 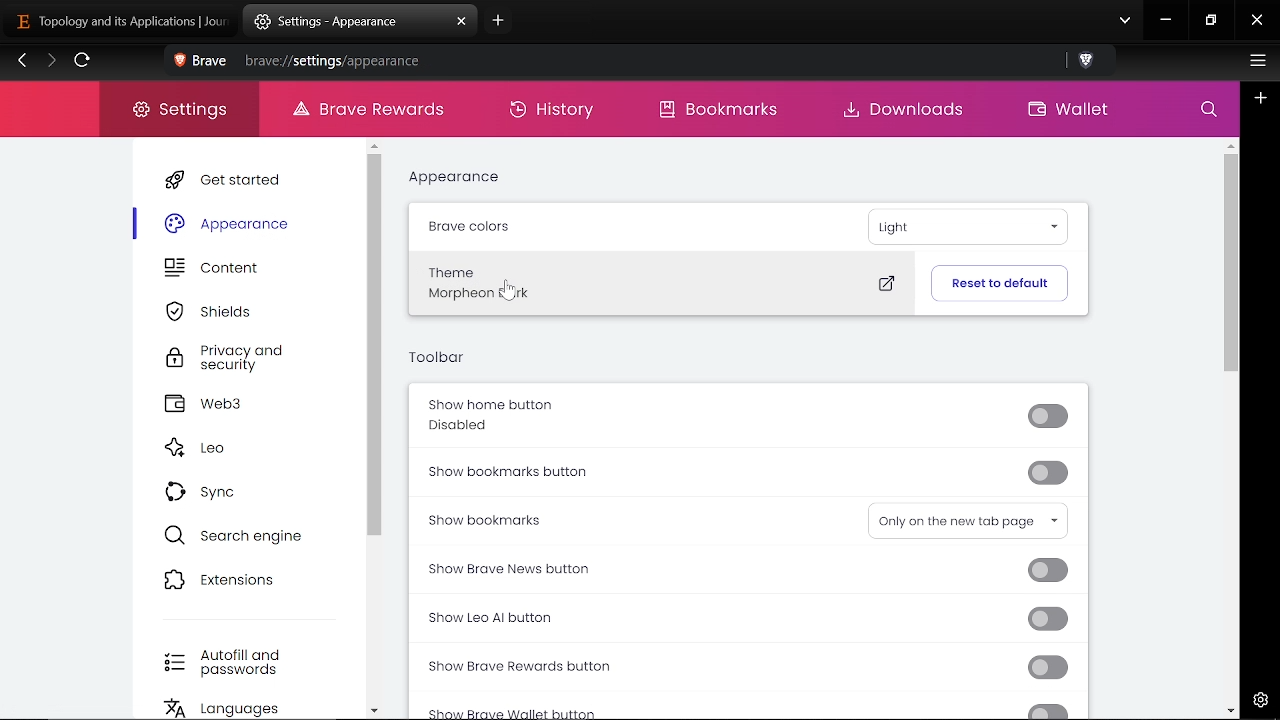 What do you see at coordinates (1257, 698) in the screenshot?
I see `Settings` at bounding box center [1257, 698].